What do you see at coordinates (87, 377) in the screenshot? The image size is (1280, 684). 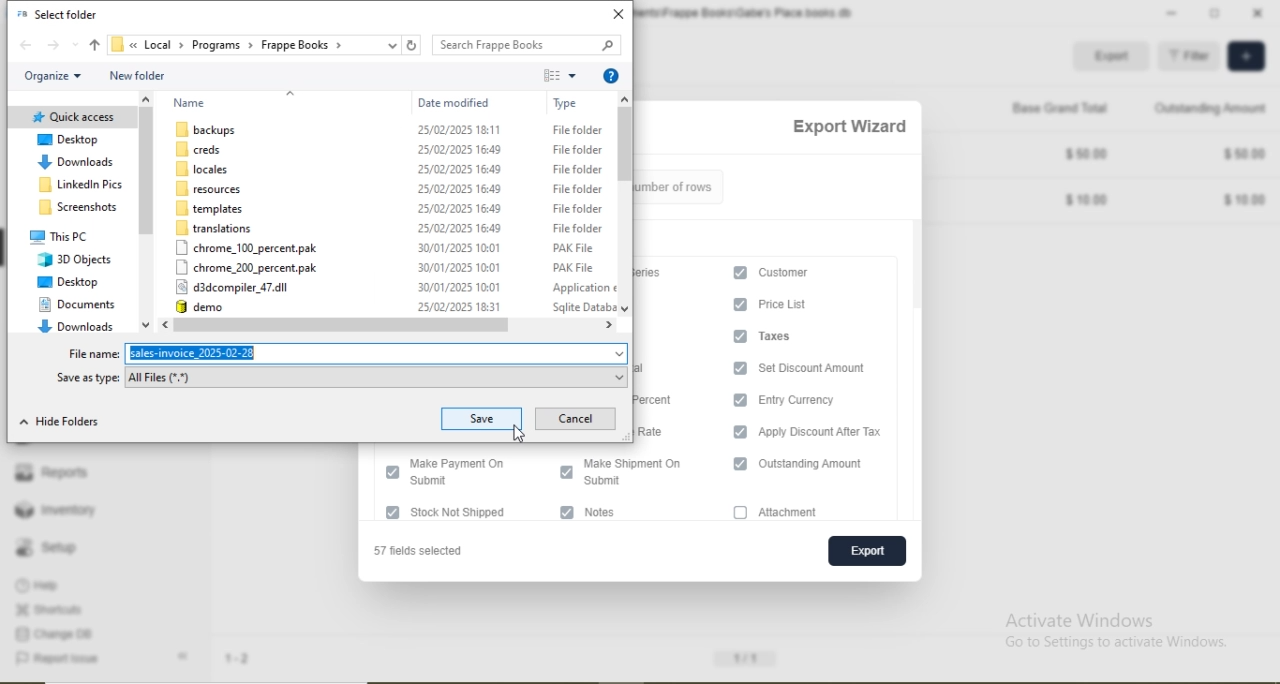 I see `Save as type` at bounding box center [87, 377].